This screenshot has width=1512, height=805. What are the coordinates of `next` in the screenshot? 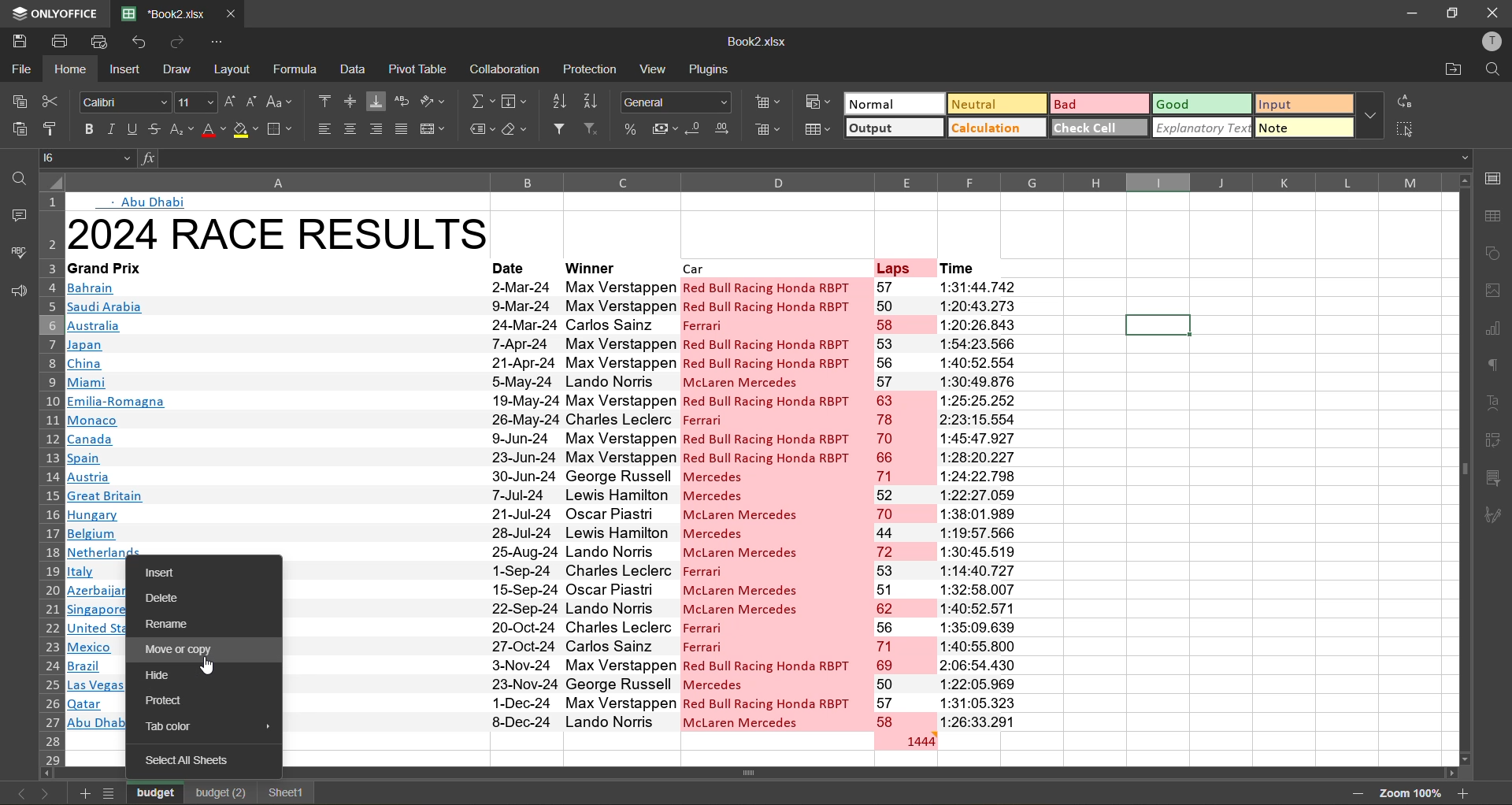 It's located at (46, 792).